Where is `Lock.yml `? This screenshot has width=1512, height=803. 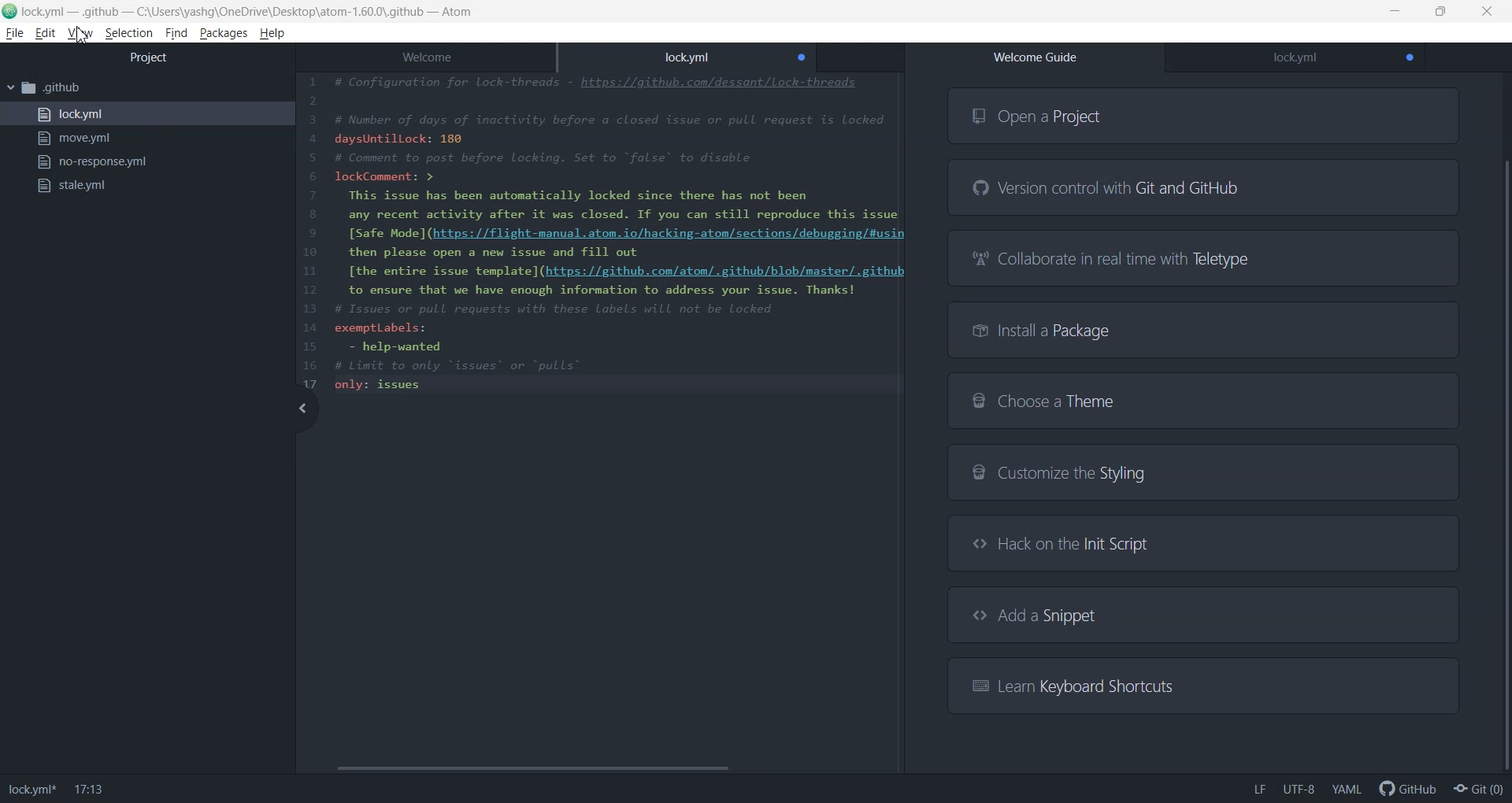 Lock.yml  is located at coordinates (1295, 58).